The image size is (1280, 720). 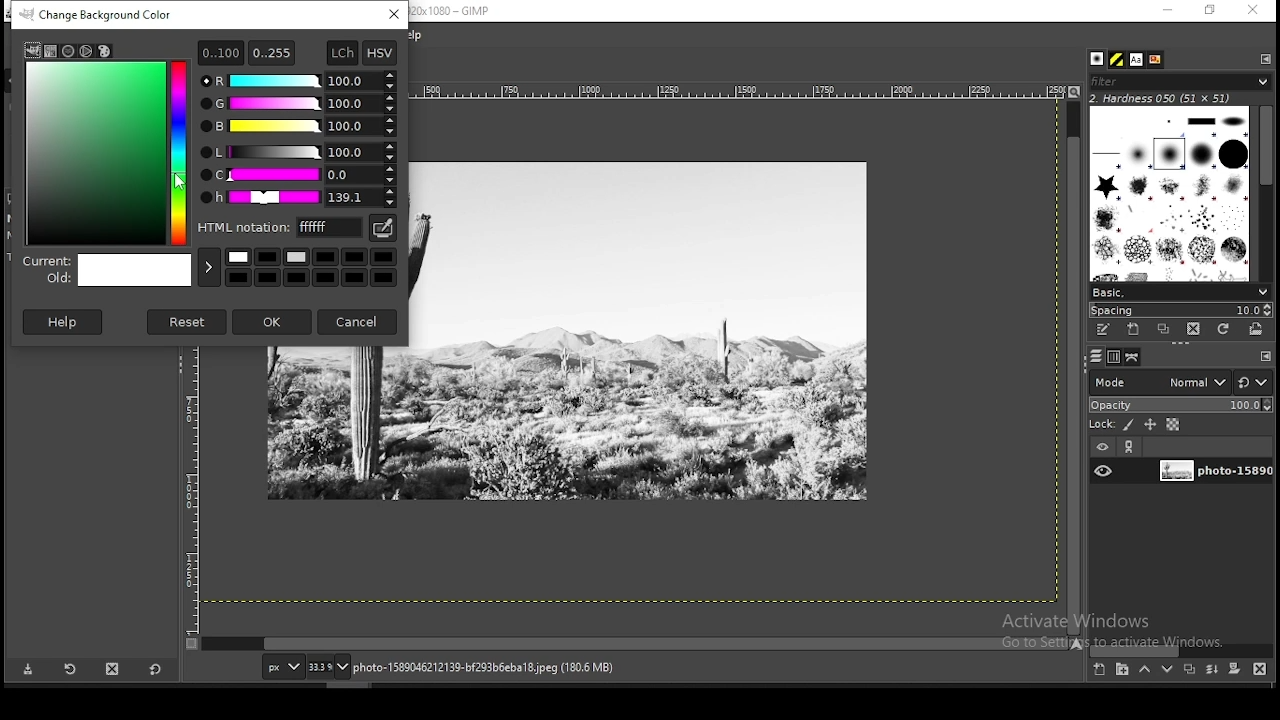 What do you see at coordinates (209, 267) in the screenshot?
I see `add current color to color history` at bounding box center [209, 267].